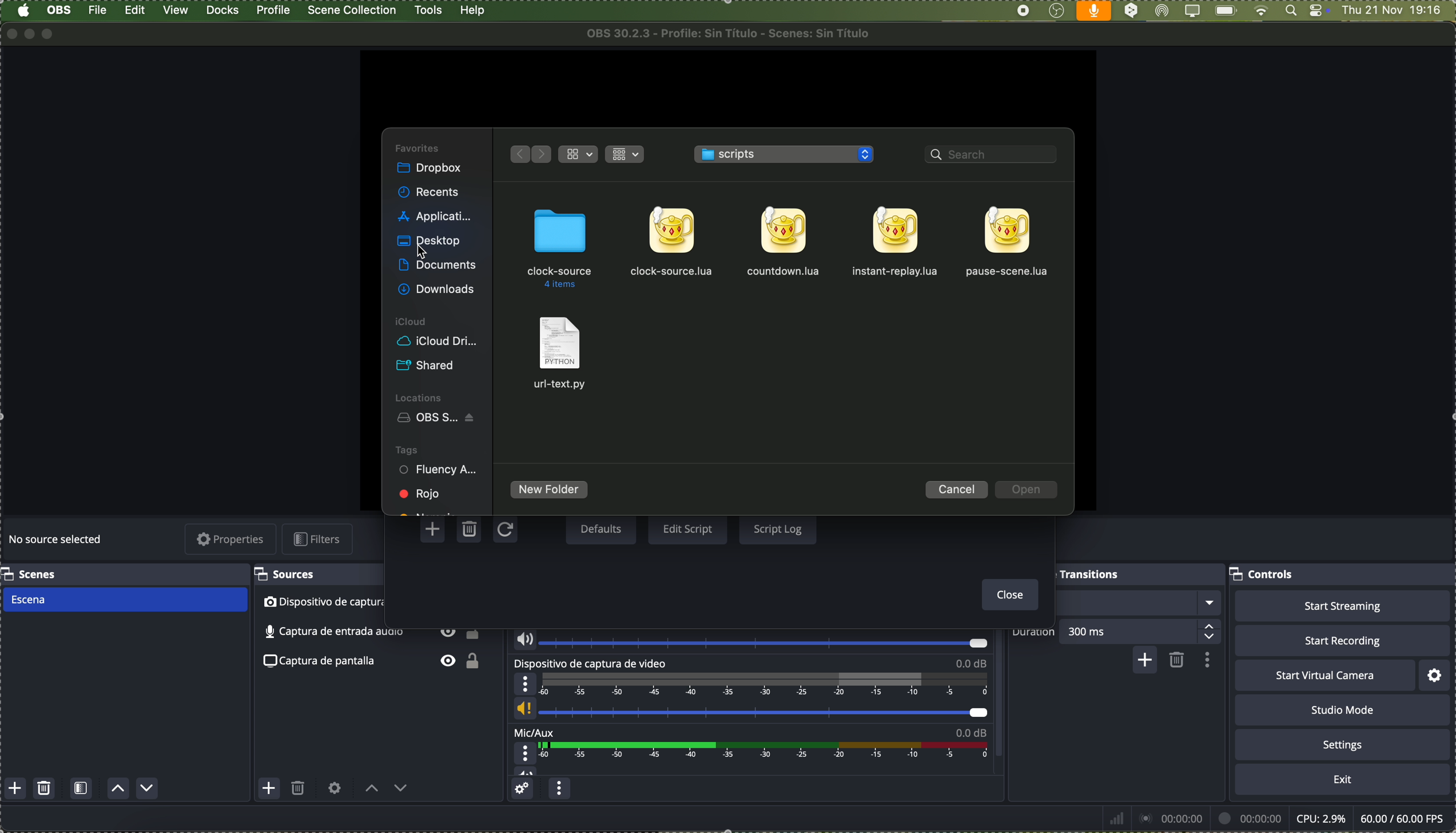  I want to click on docks, so click(223, 11).